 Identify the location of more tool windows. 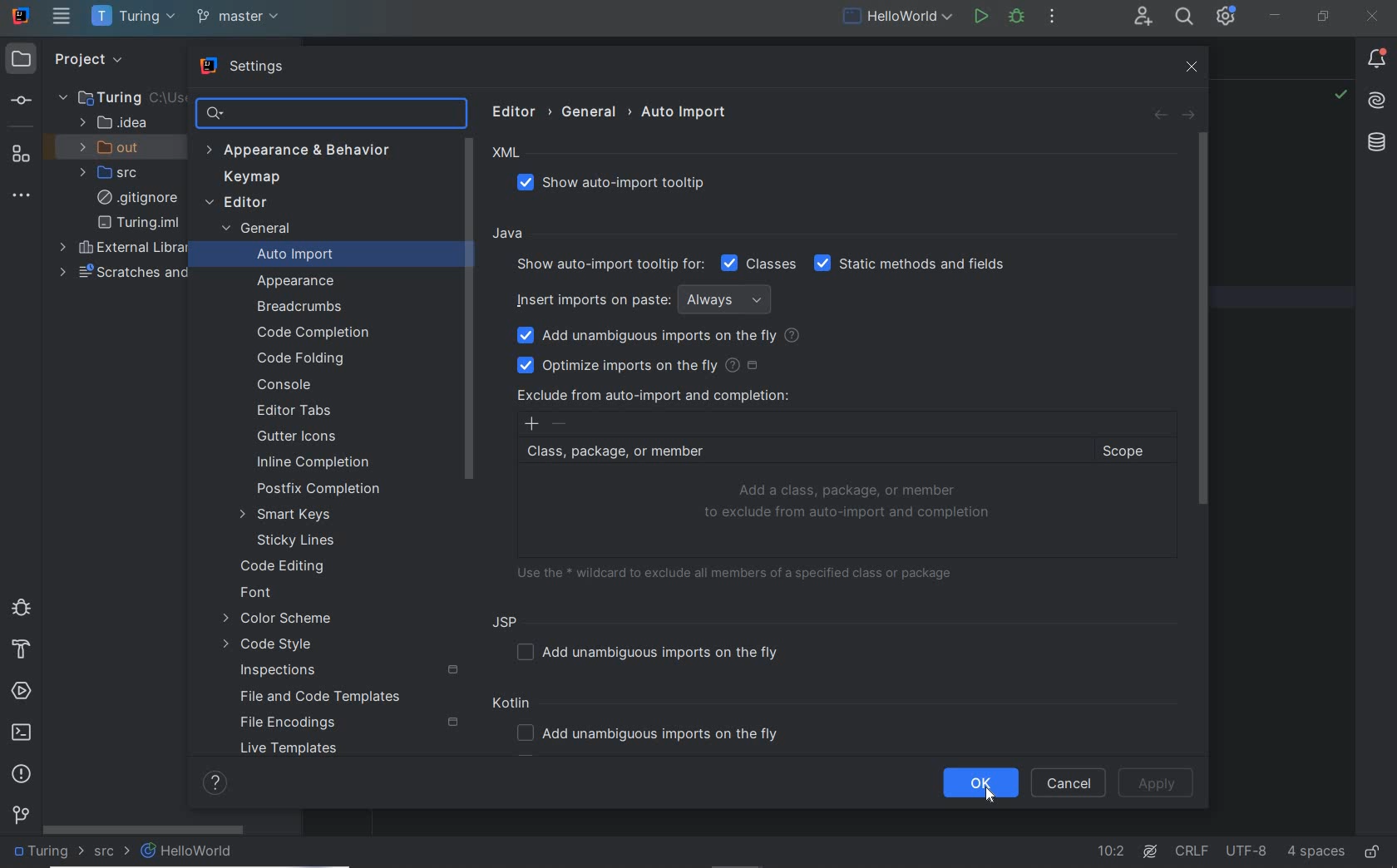
(22, 196).